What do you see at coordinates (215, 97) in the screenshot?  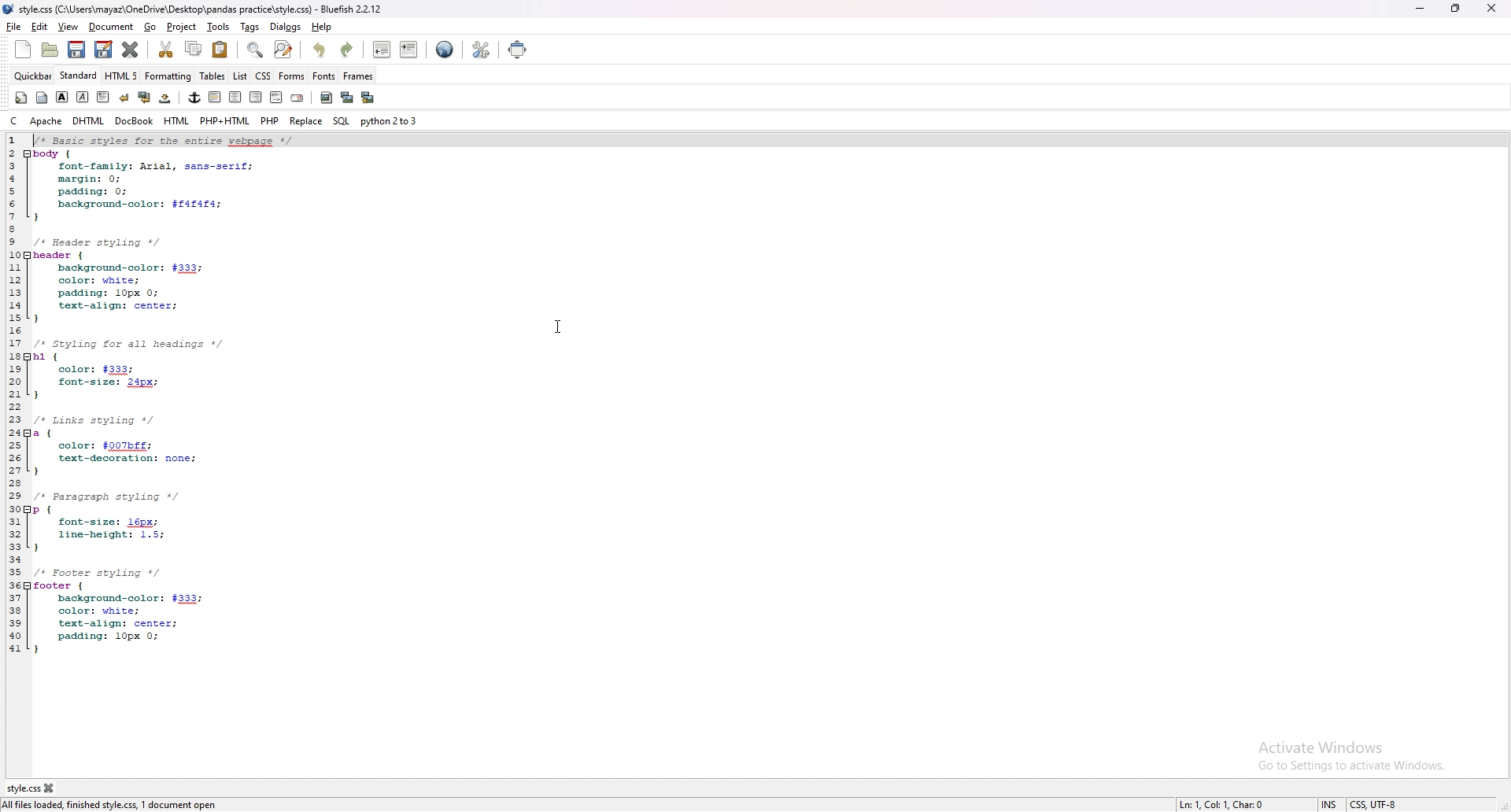 I see `horizontal rule` at bounding box center [215, 97].